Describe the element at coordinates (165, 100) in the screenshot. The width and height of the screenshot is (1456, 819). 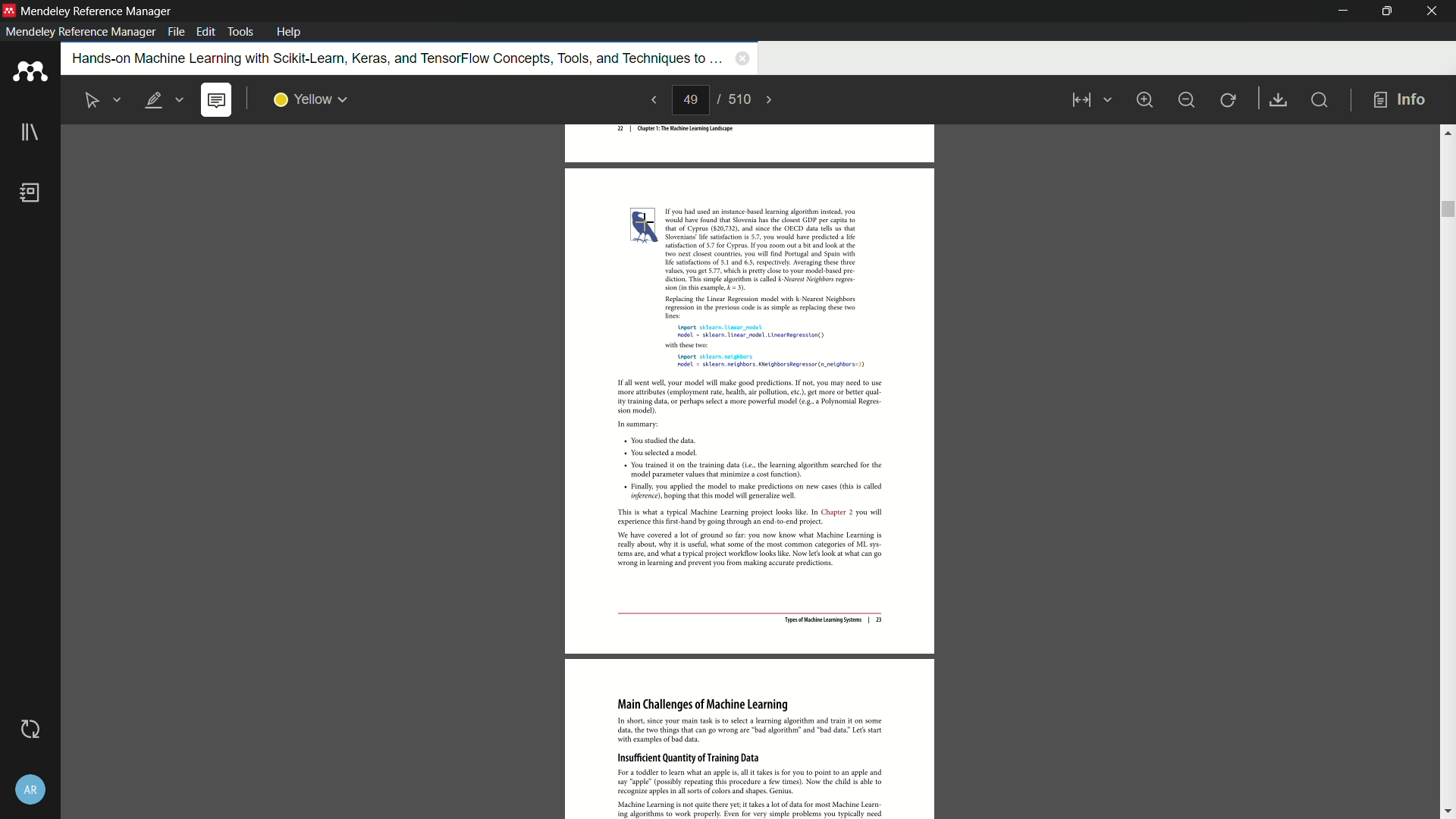
I see `highlight text` at that location.